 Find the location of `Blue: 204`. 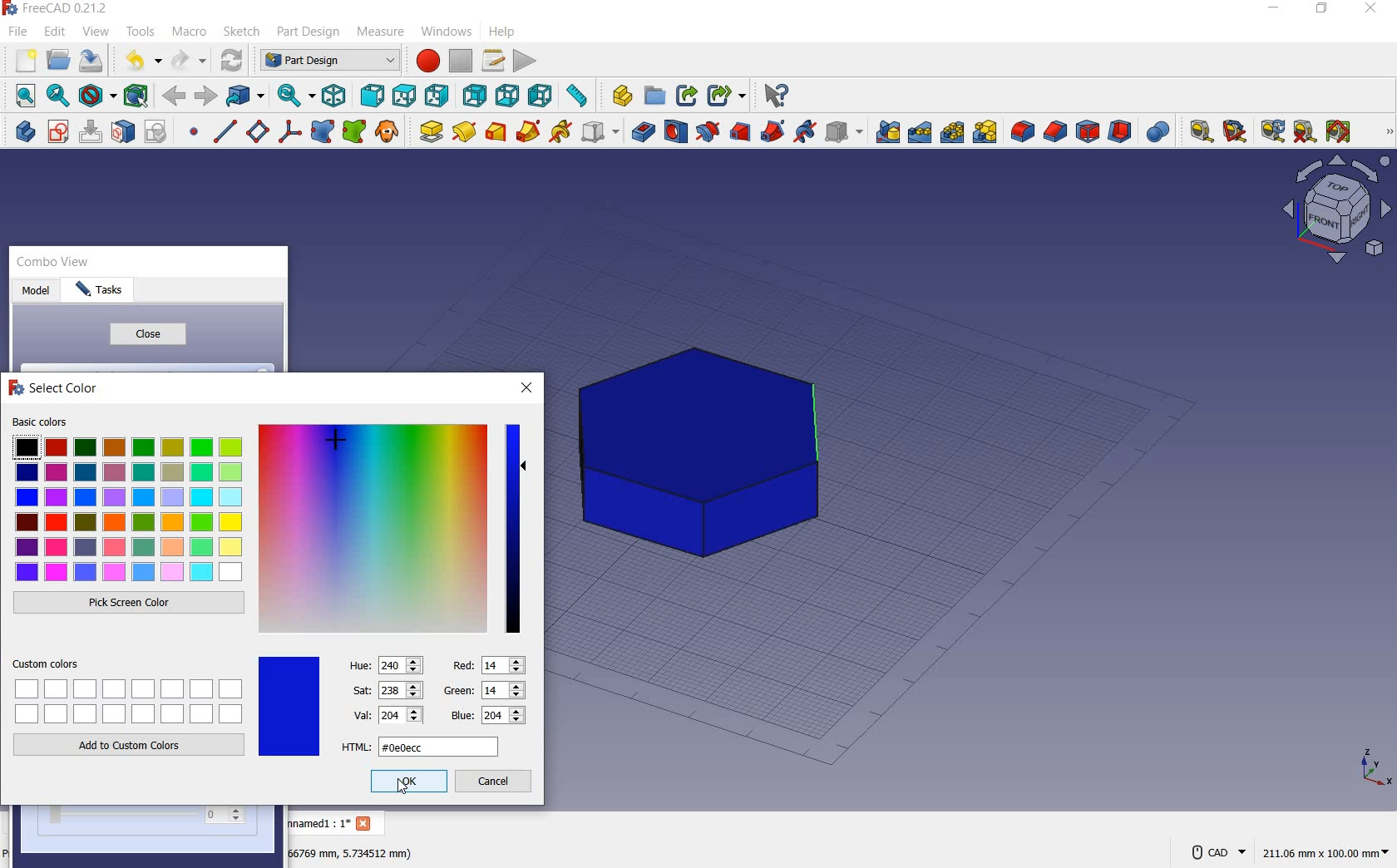

Blue: 204 is located at coordinates (486, 716).